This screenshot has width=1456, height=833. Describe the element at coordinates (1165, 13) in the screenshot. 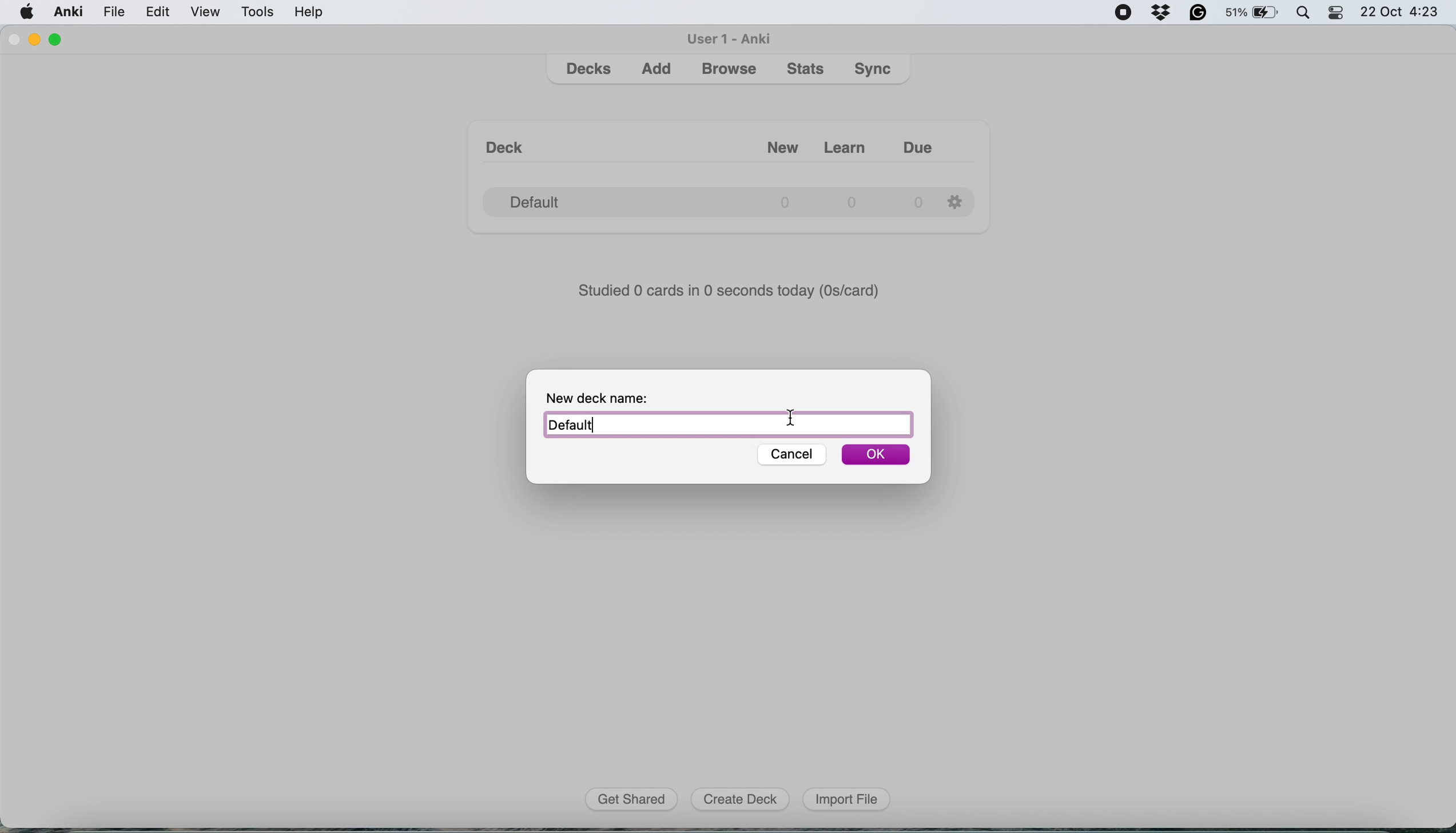

I see `drop box` at that location.